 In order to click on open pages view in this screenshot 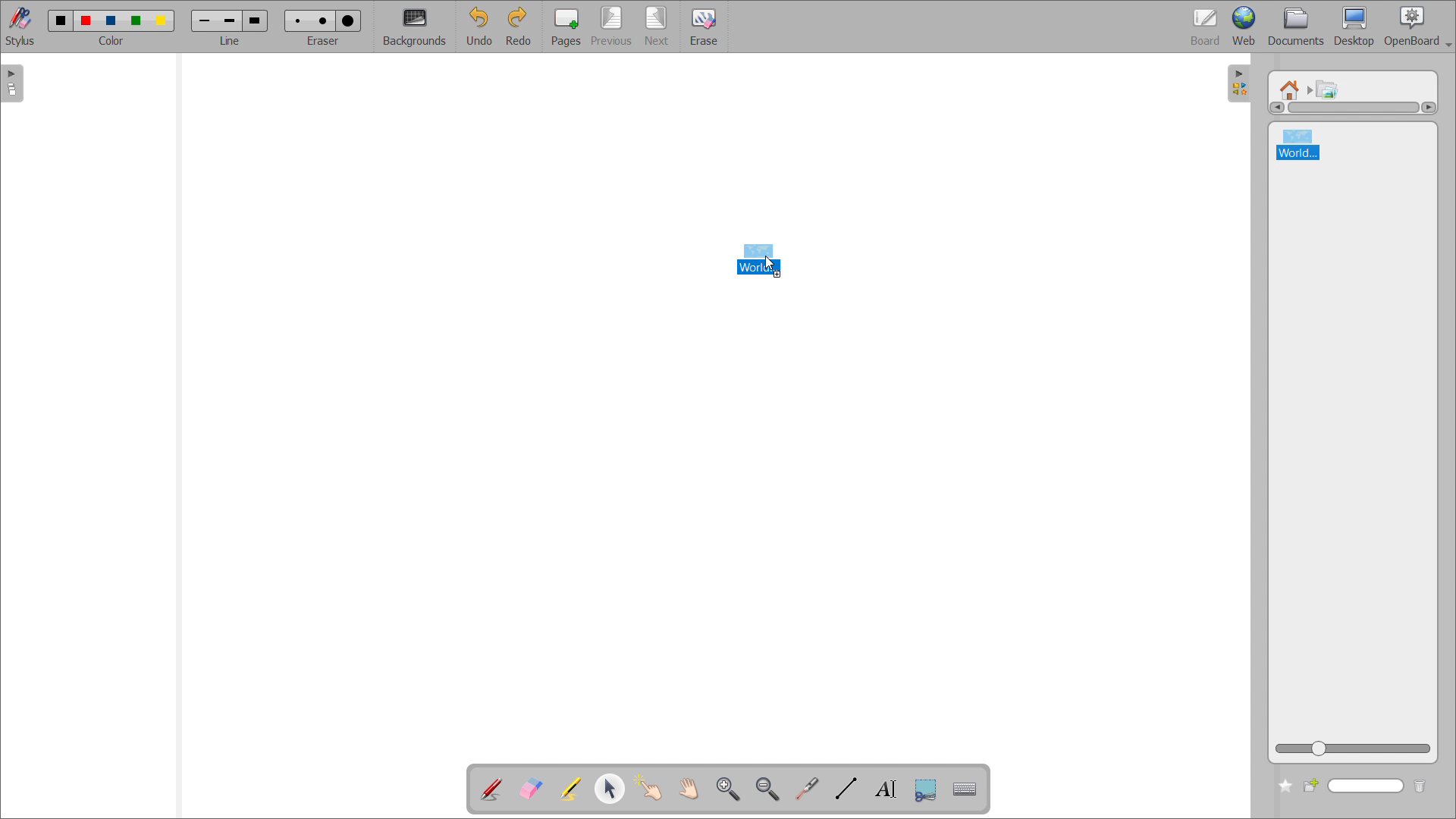, I will do `click(11, 84)`.